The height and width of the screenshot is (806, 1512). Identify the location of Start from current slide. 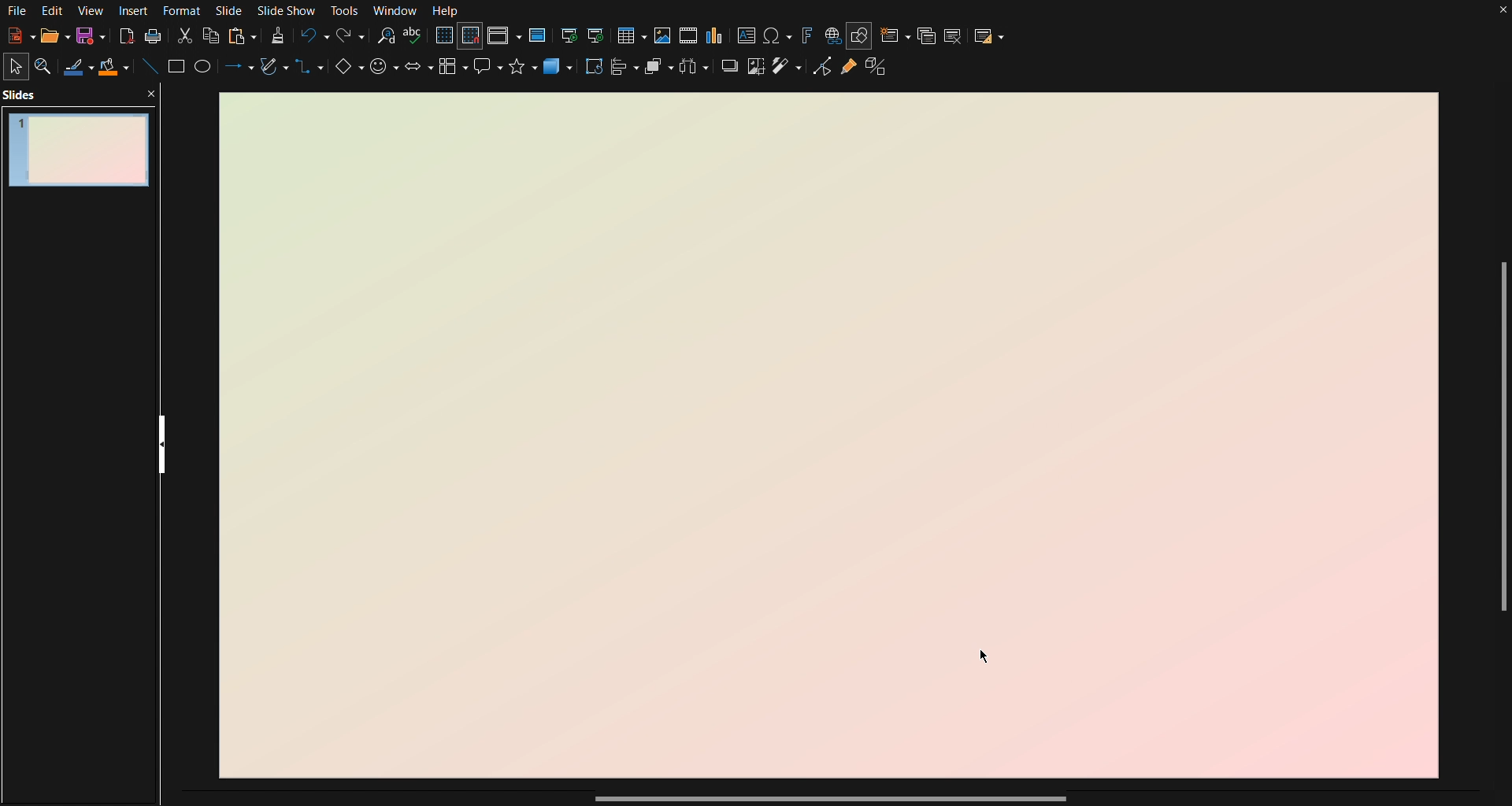
(601, 34).